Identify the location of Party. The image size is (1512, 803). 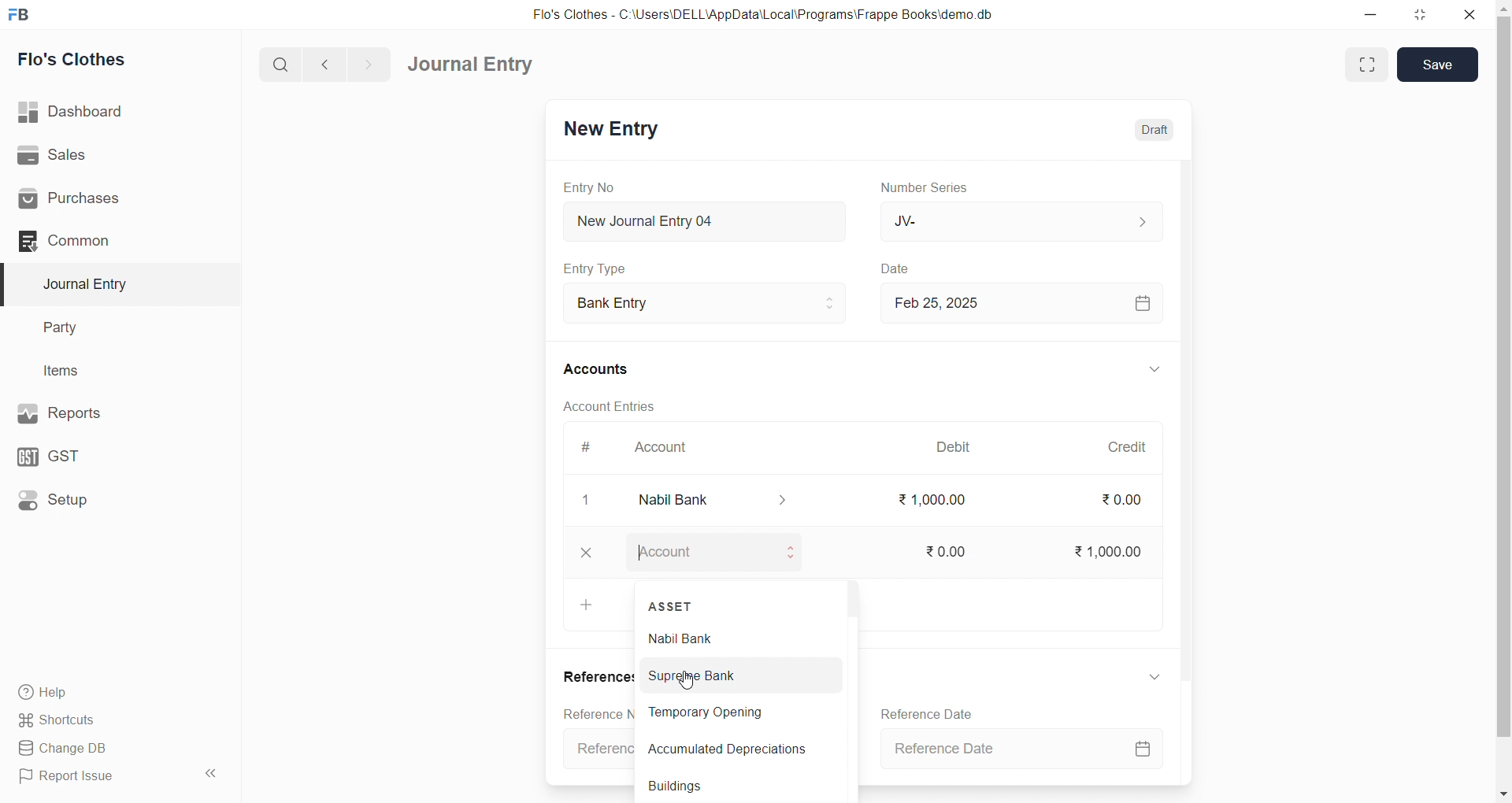
(110, 328).